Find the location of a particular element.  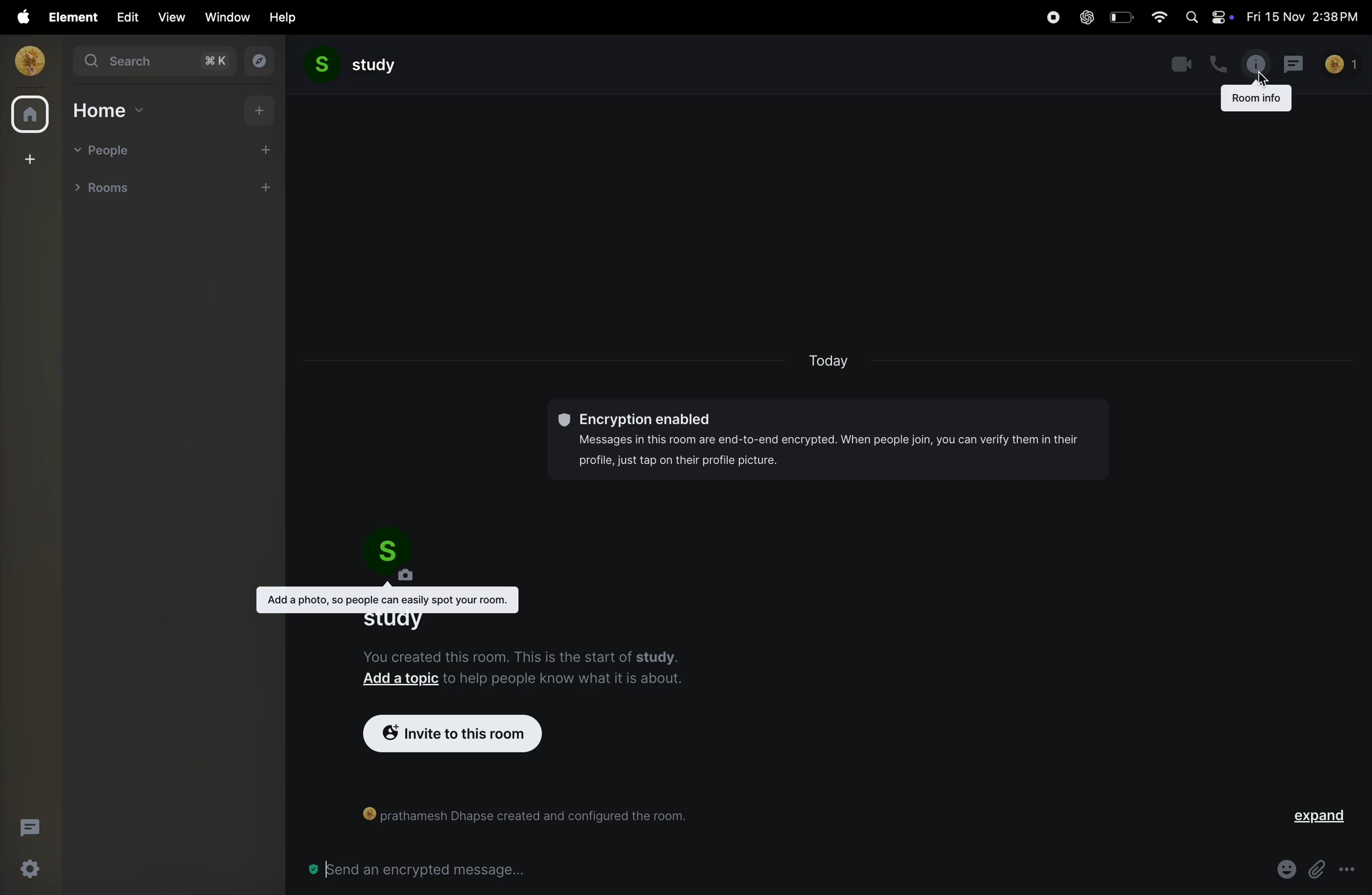

[)] prathamesh Dhapse created and configured the room. is located at coordinates (517, 814).